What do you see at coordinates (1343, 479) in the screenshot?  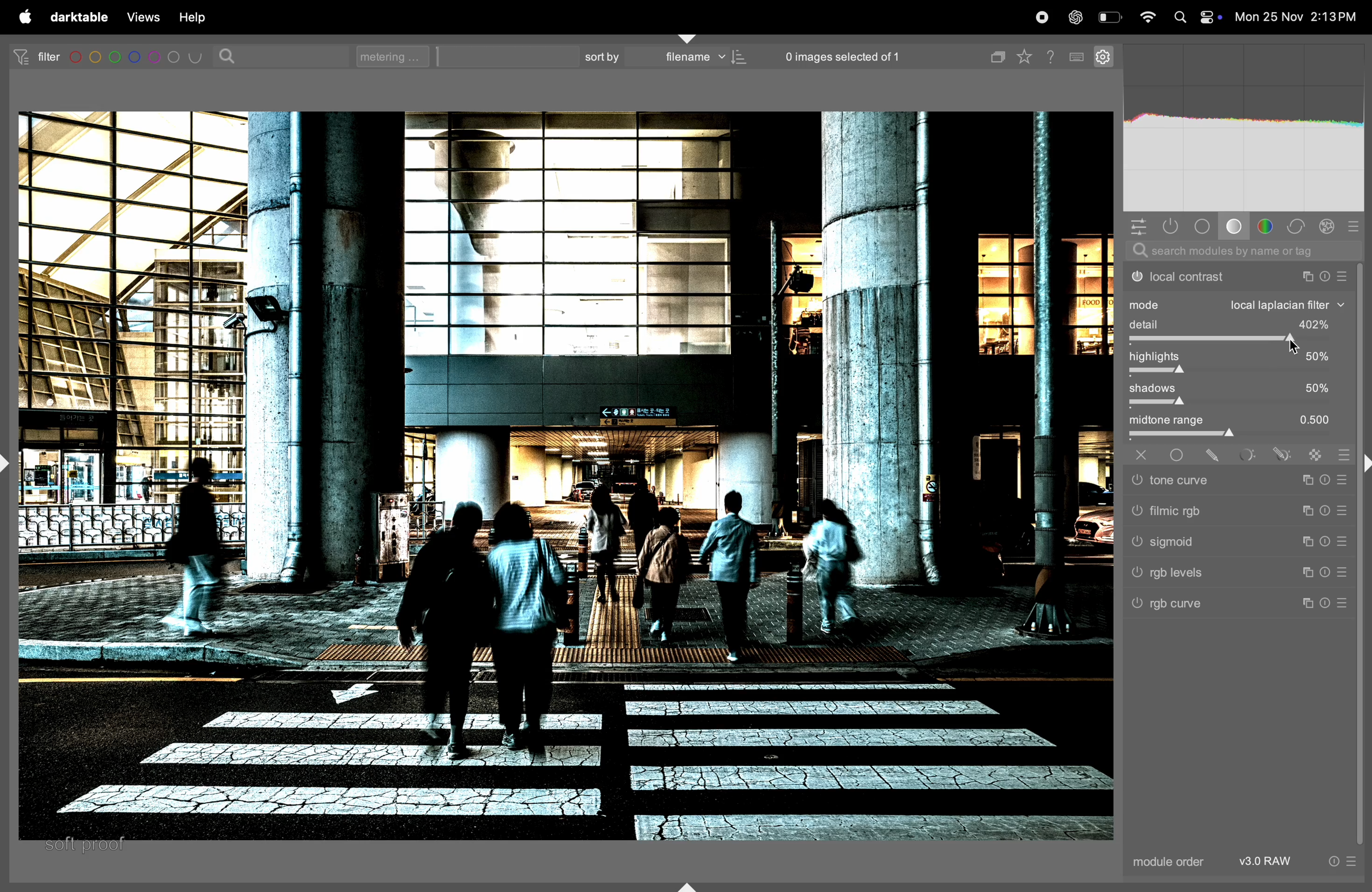 I see `preset` at bounding box center [1343, 479].